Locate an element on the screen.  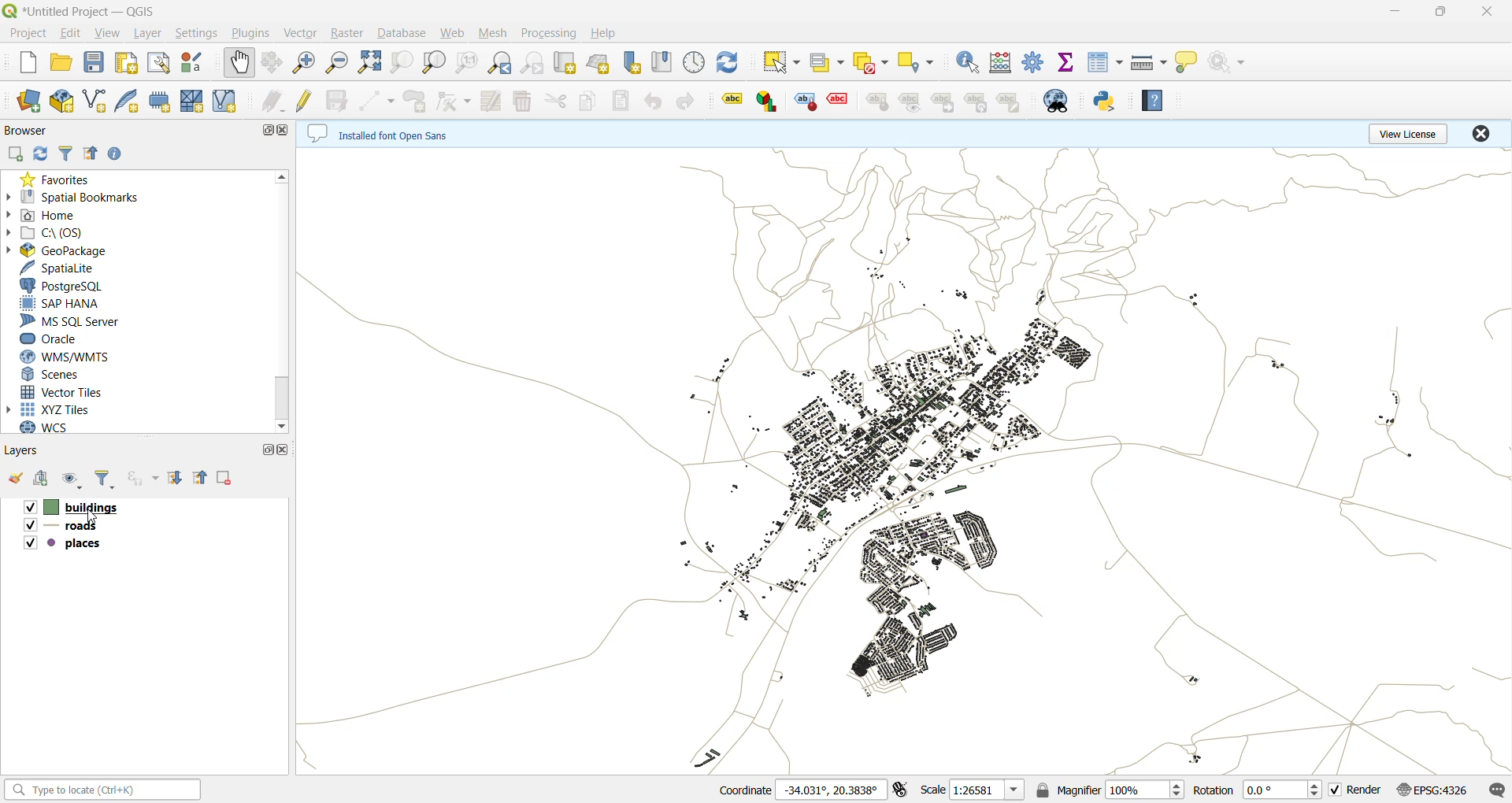
move a label and diagram is located at coordinates (947, 101).